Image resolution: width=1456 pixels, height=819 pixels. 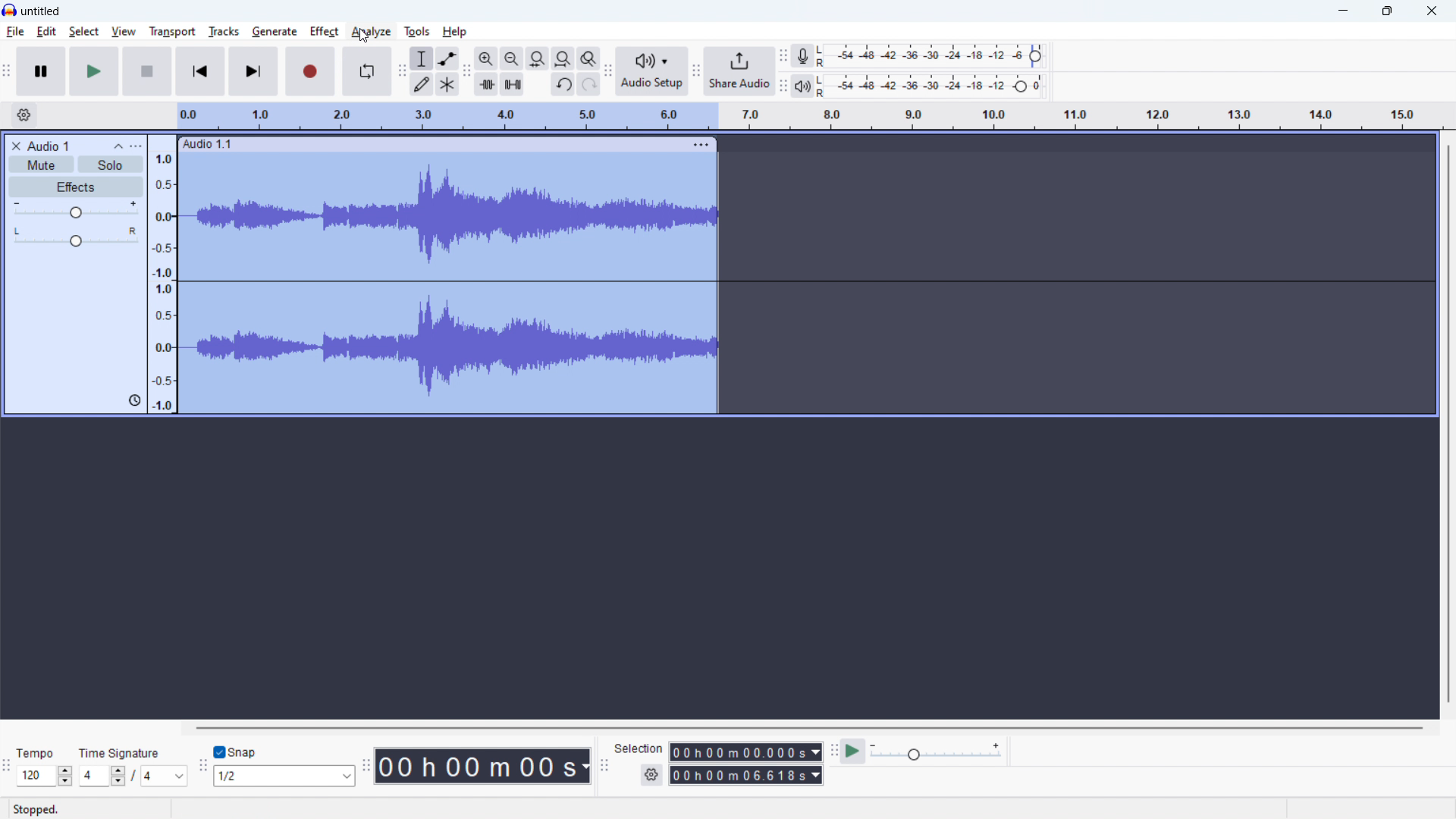 What do you see at coordinates (76, 187) in the screenshot?
I see `effect` at bounding box center [76, 187].